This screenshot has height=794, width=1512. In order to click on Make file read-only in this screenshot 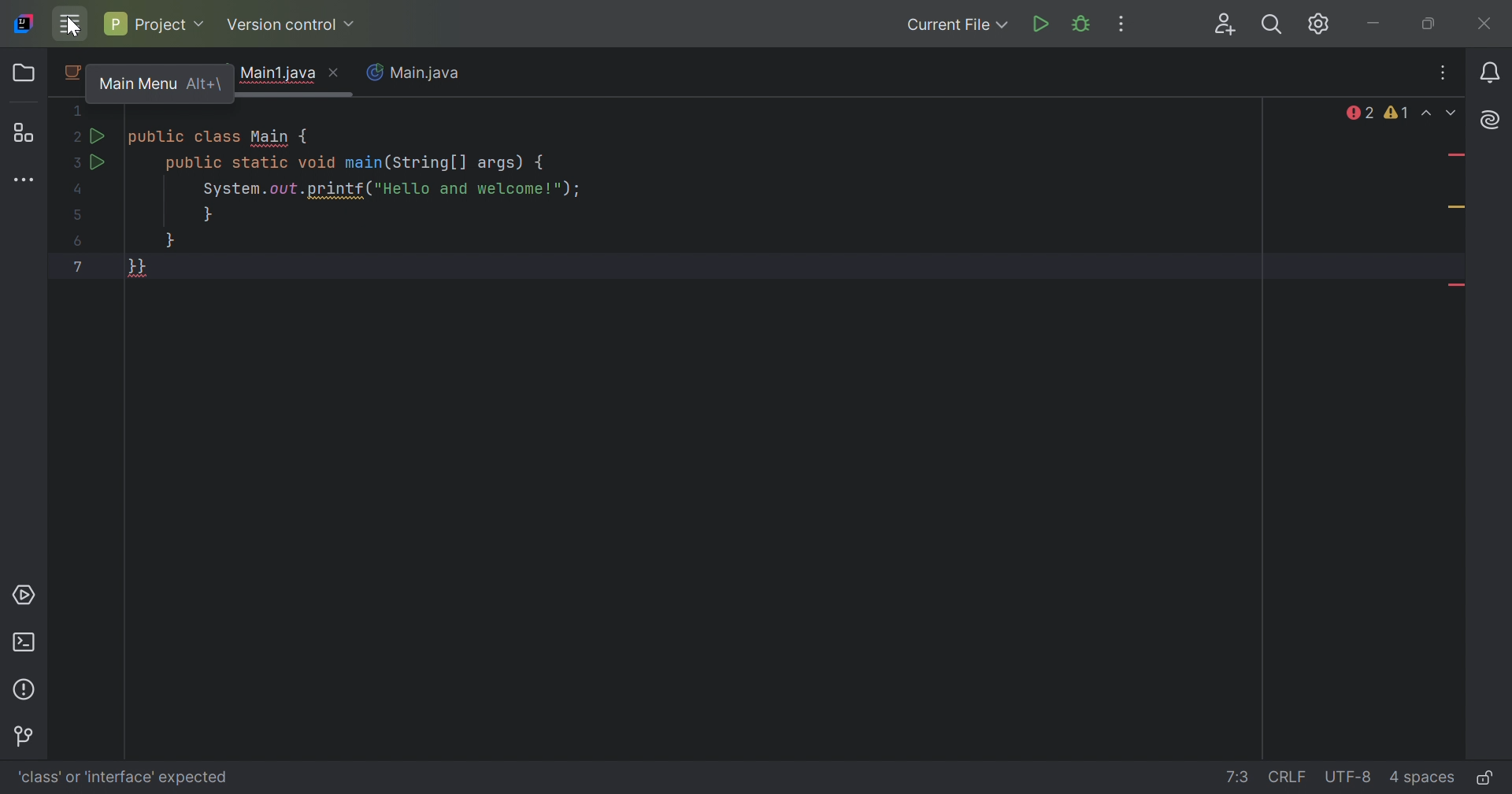, I will do `click(1484, 777)`.